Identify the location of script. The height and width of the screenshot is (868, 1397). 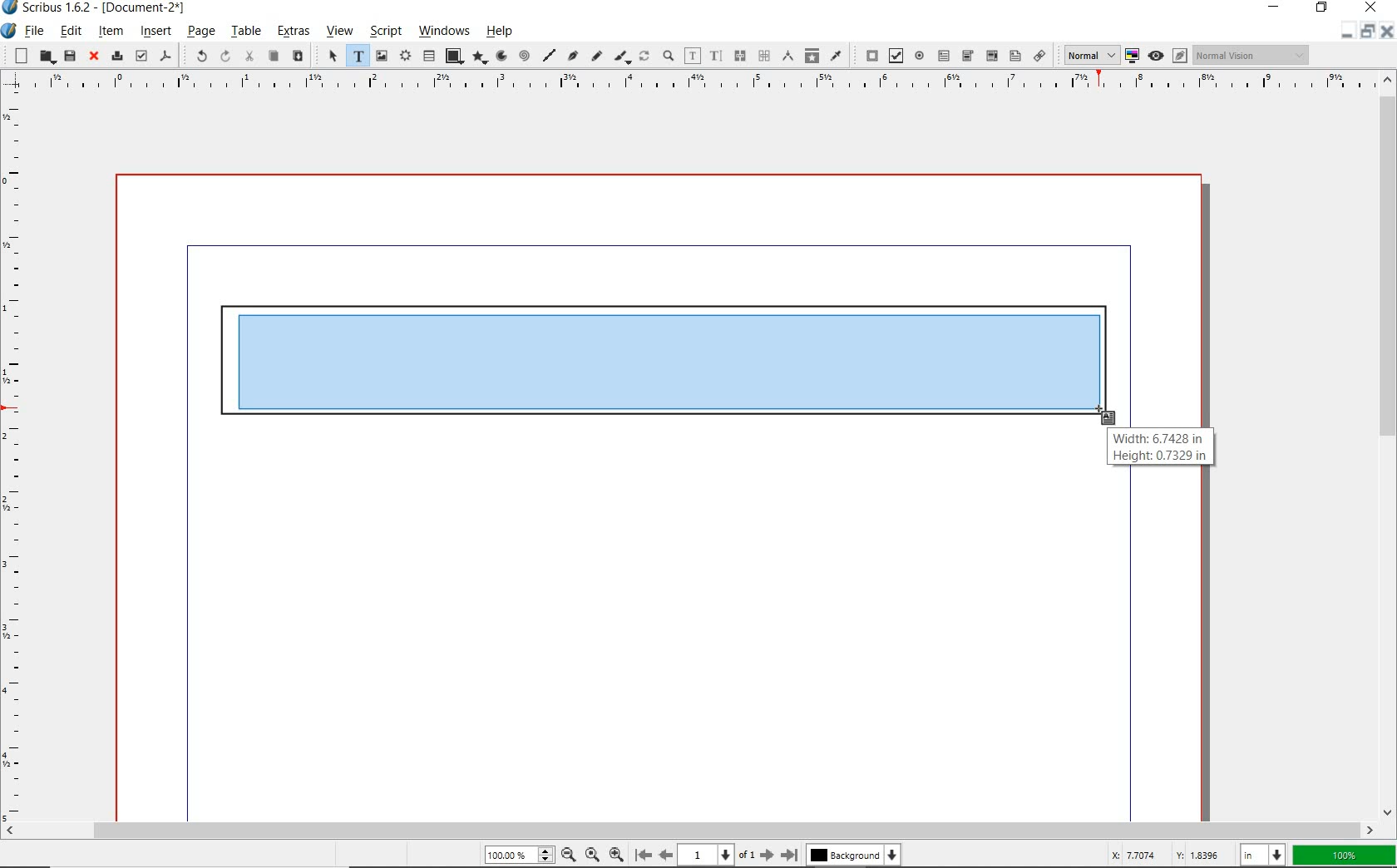
(384, 31).